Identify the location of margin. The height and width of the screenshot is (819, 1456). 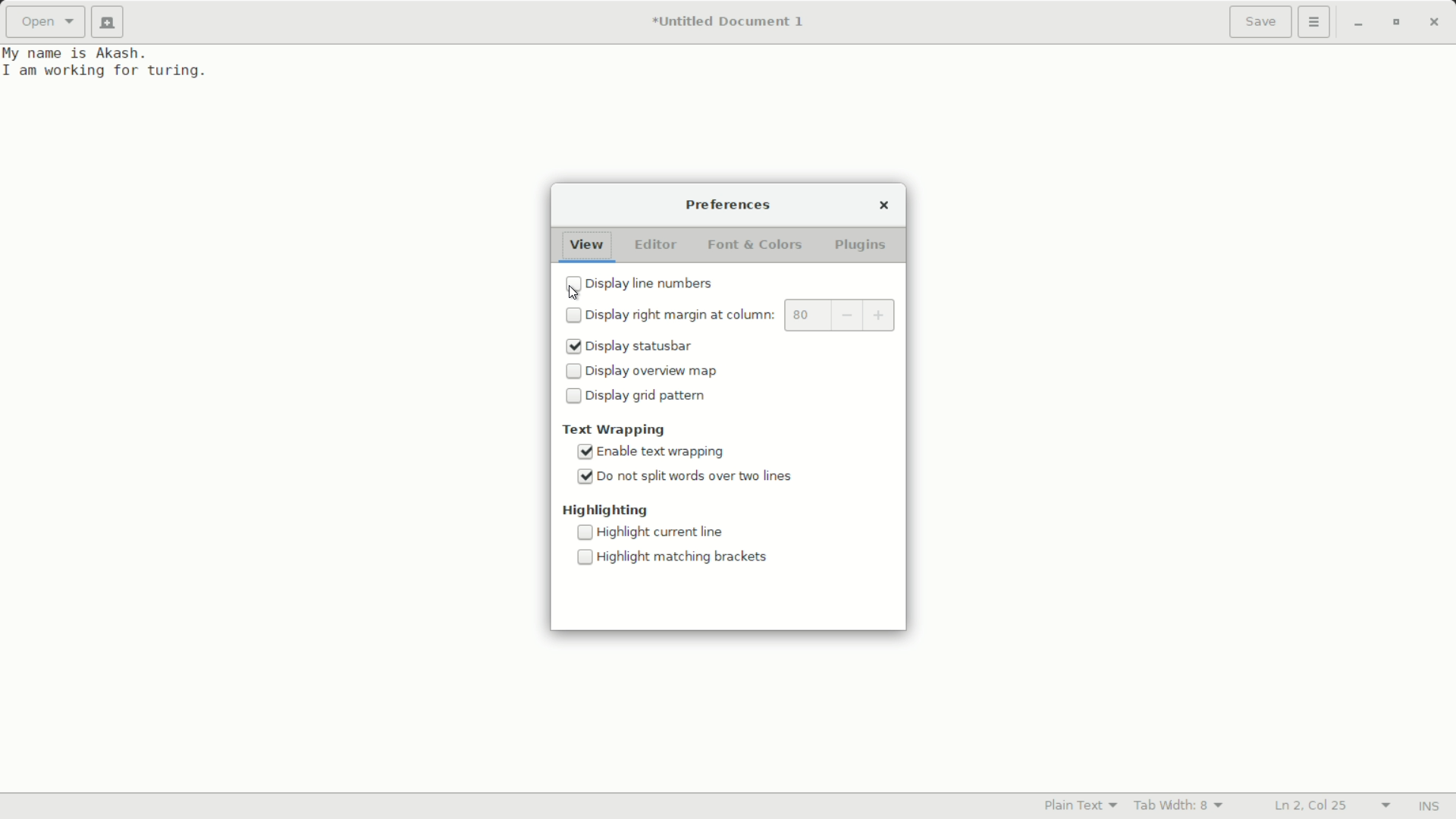
(808, 315).